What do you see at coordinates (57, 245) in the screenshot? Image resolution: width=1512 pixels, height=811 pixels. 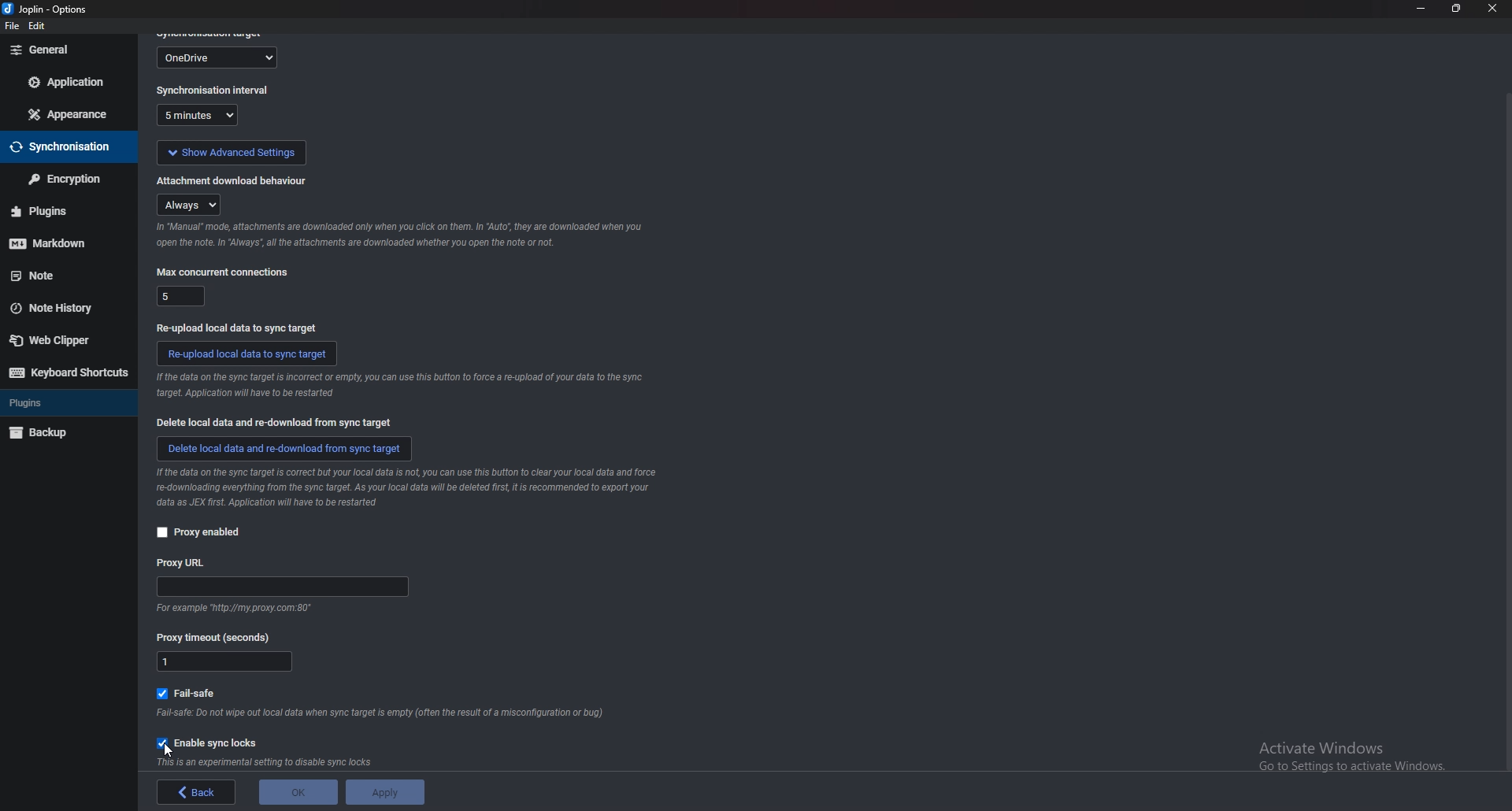 I see `markdown` at bounding box center [57, 245].